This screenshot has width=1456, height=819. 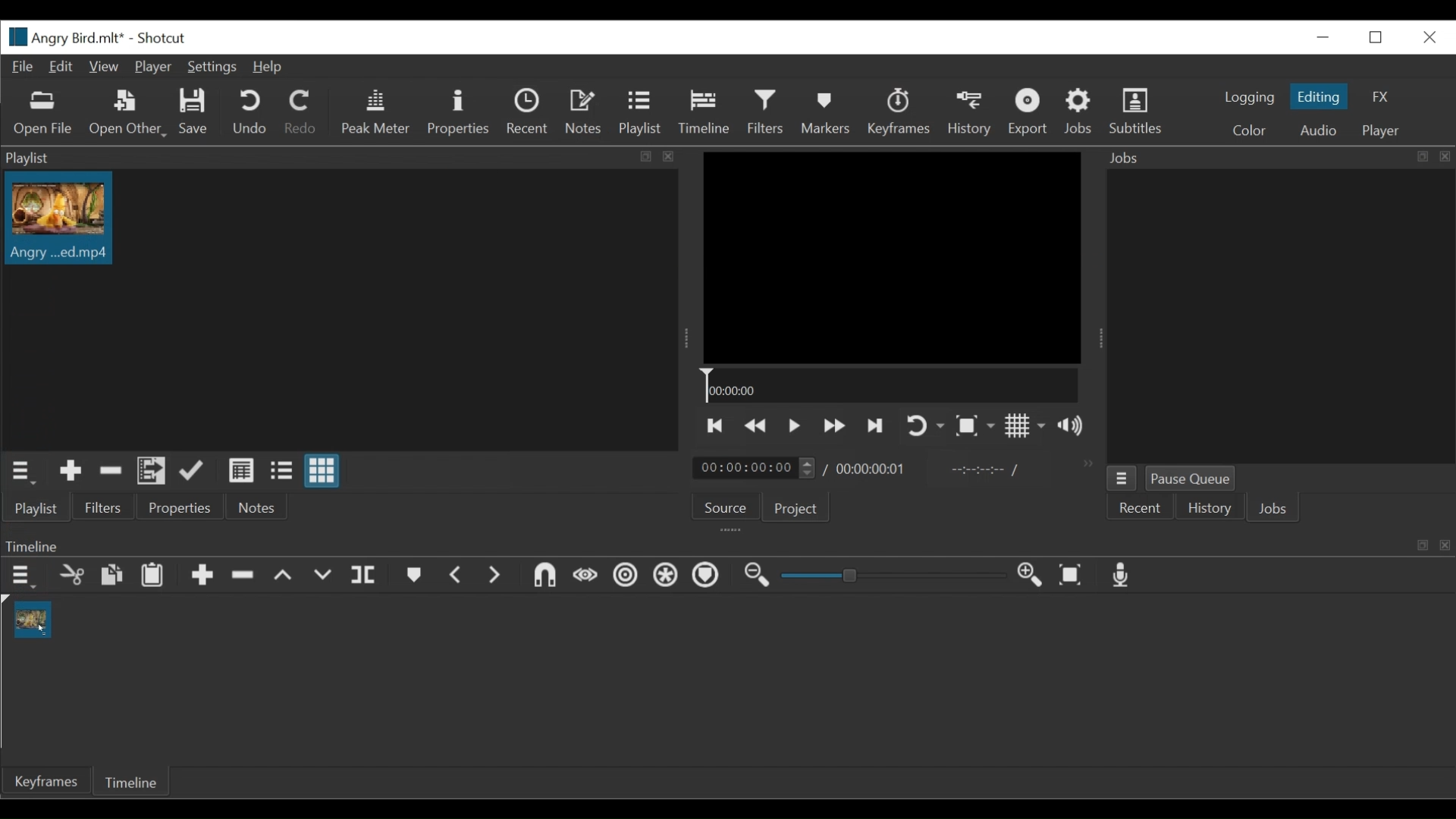 I want to click on logging, so click(x=1250, y=98).